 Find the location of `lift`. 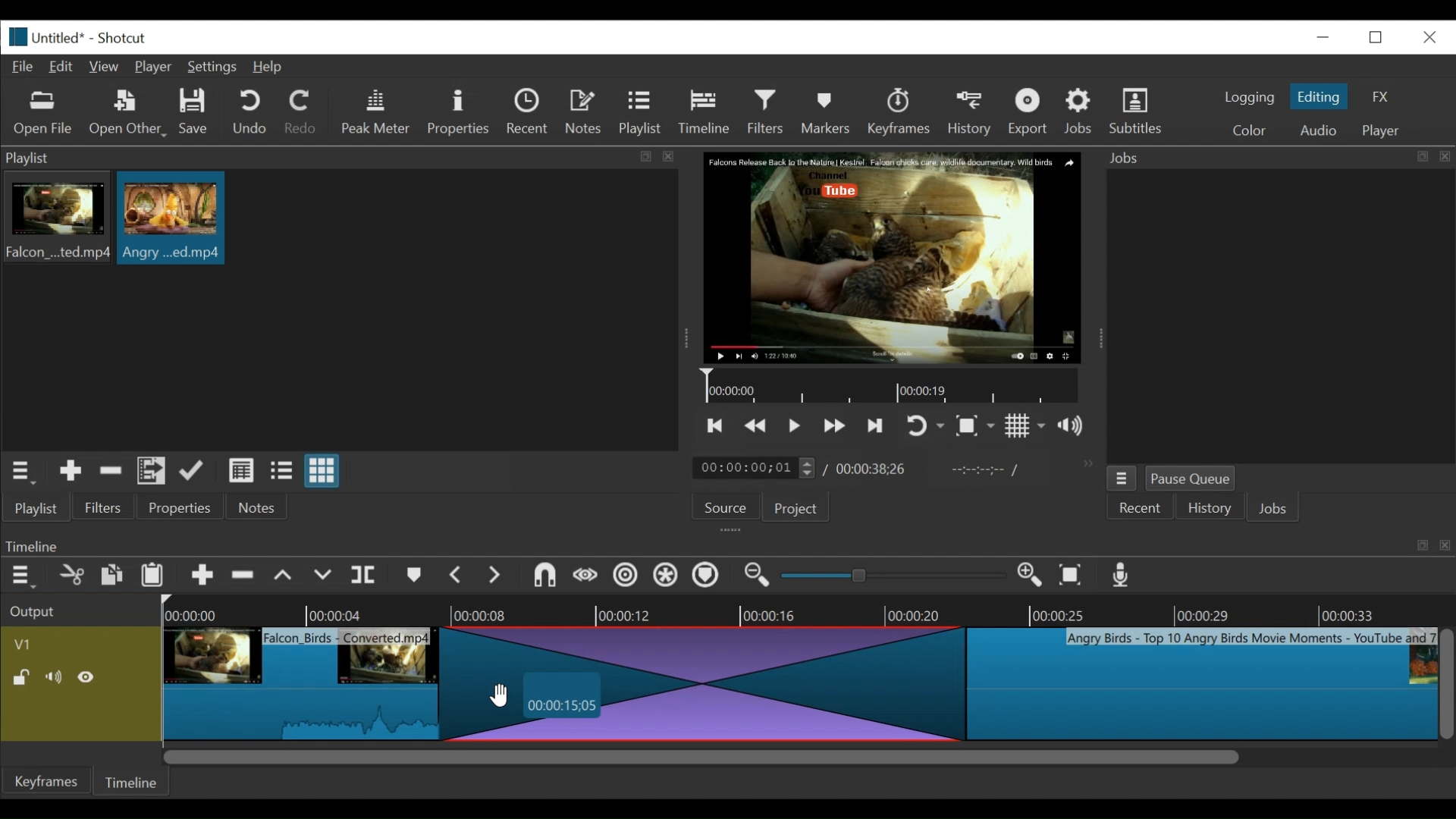

lift is located at coordinates (285, 577).